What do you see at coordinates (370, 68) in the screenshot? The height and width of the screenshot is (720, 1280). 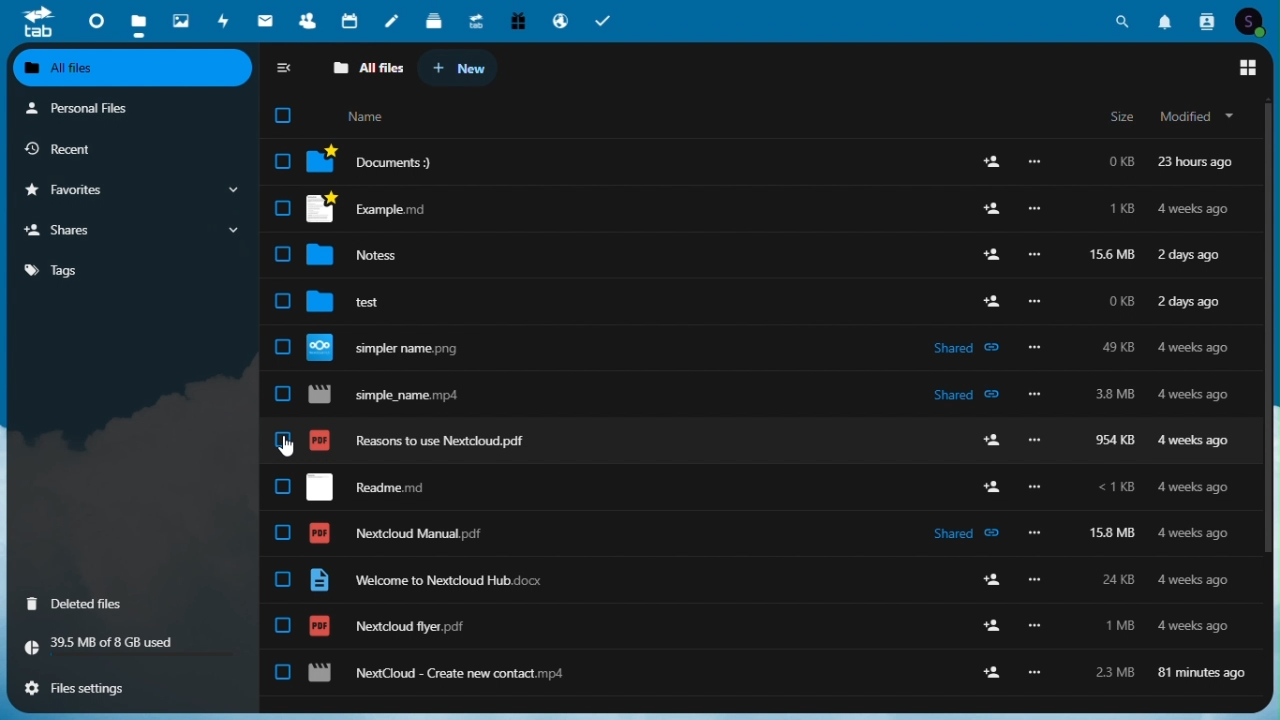 I see `all files` at bounding box center [370, 68].